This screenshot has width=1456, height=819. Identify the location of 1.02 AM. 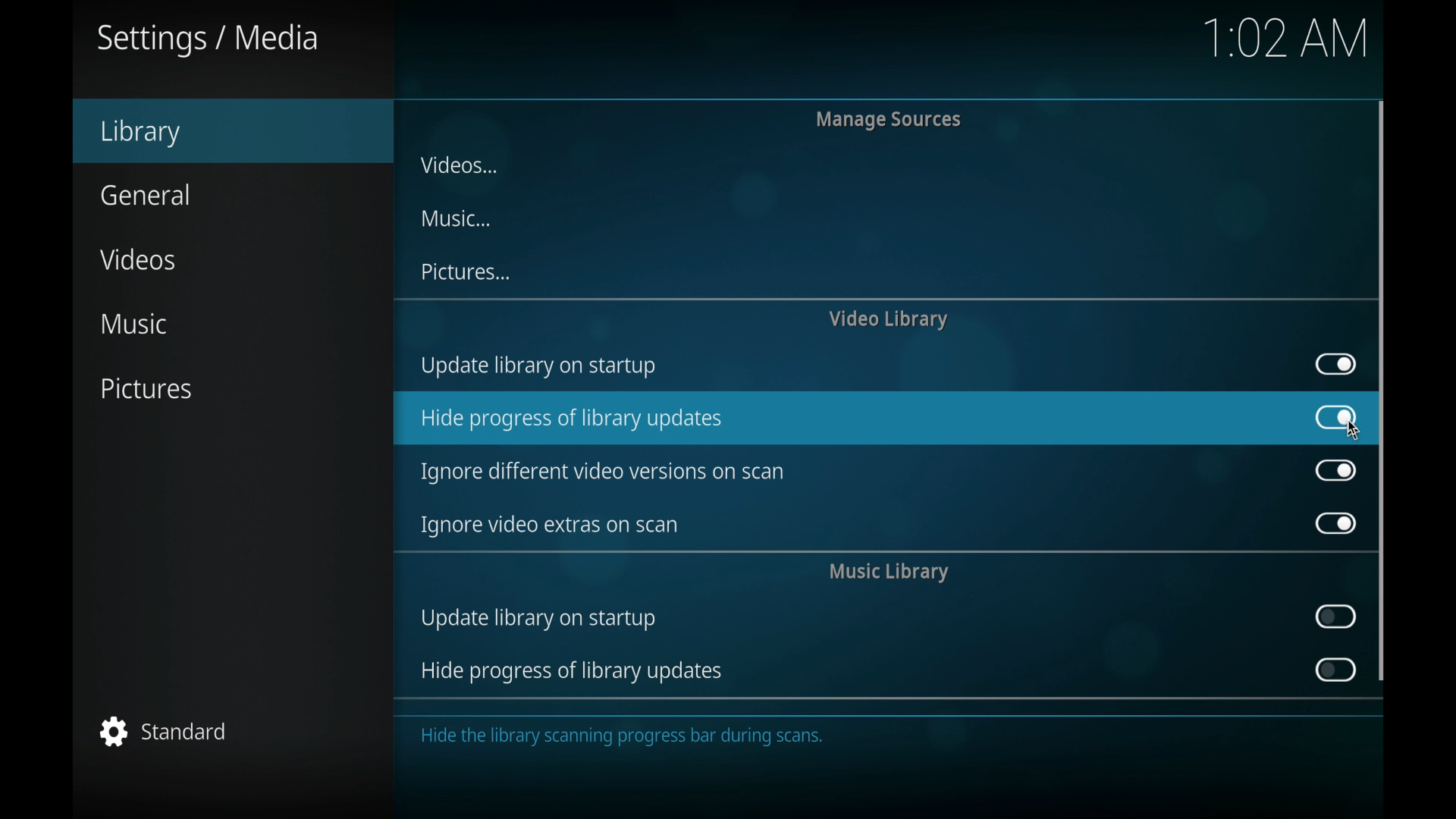
(1291, 46).